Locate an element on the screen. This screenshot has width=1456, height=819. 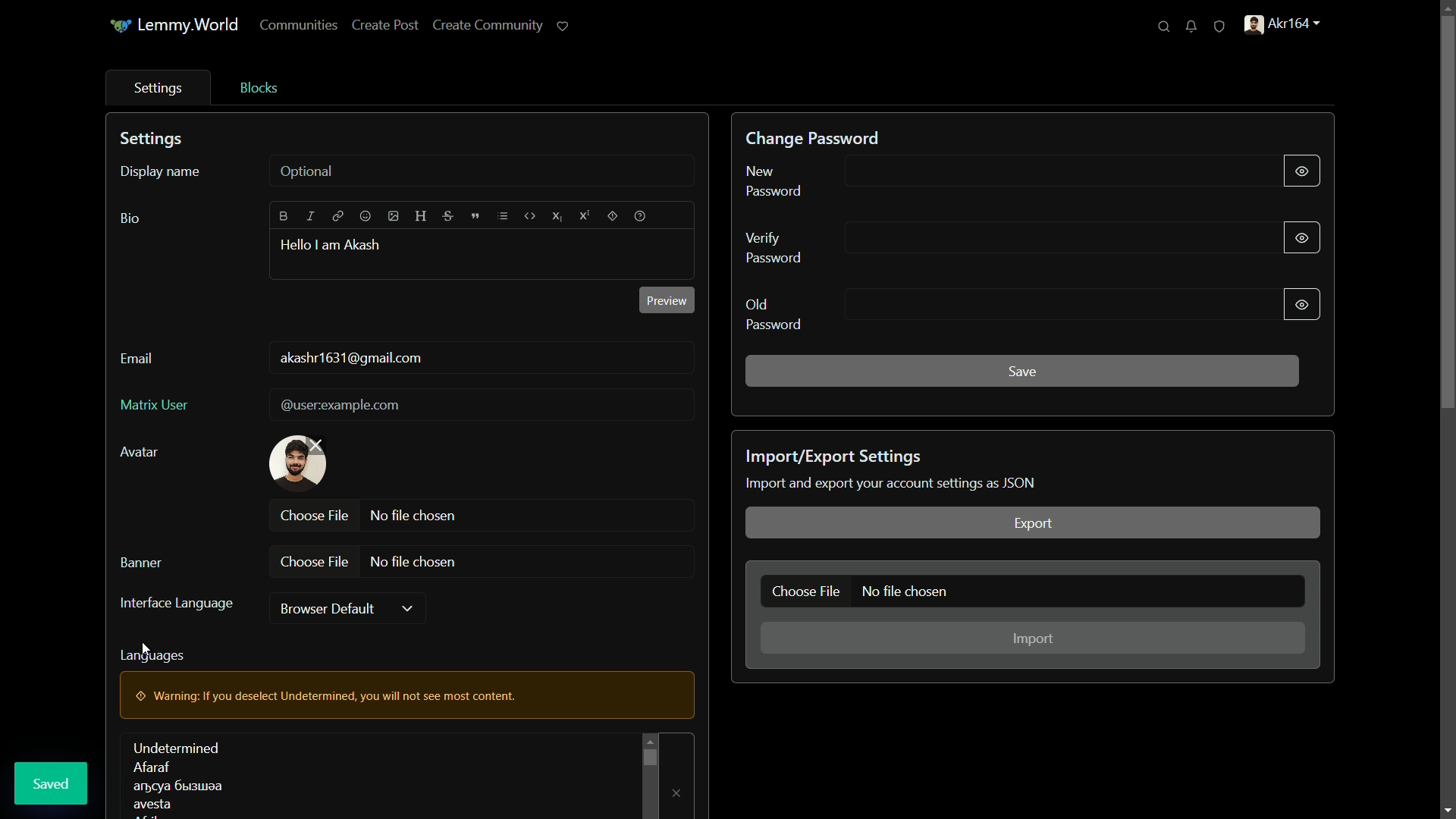
old password is located at coordinates (773, 315).